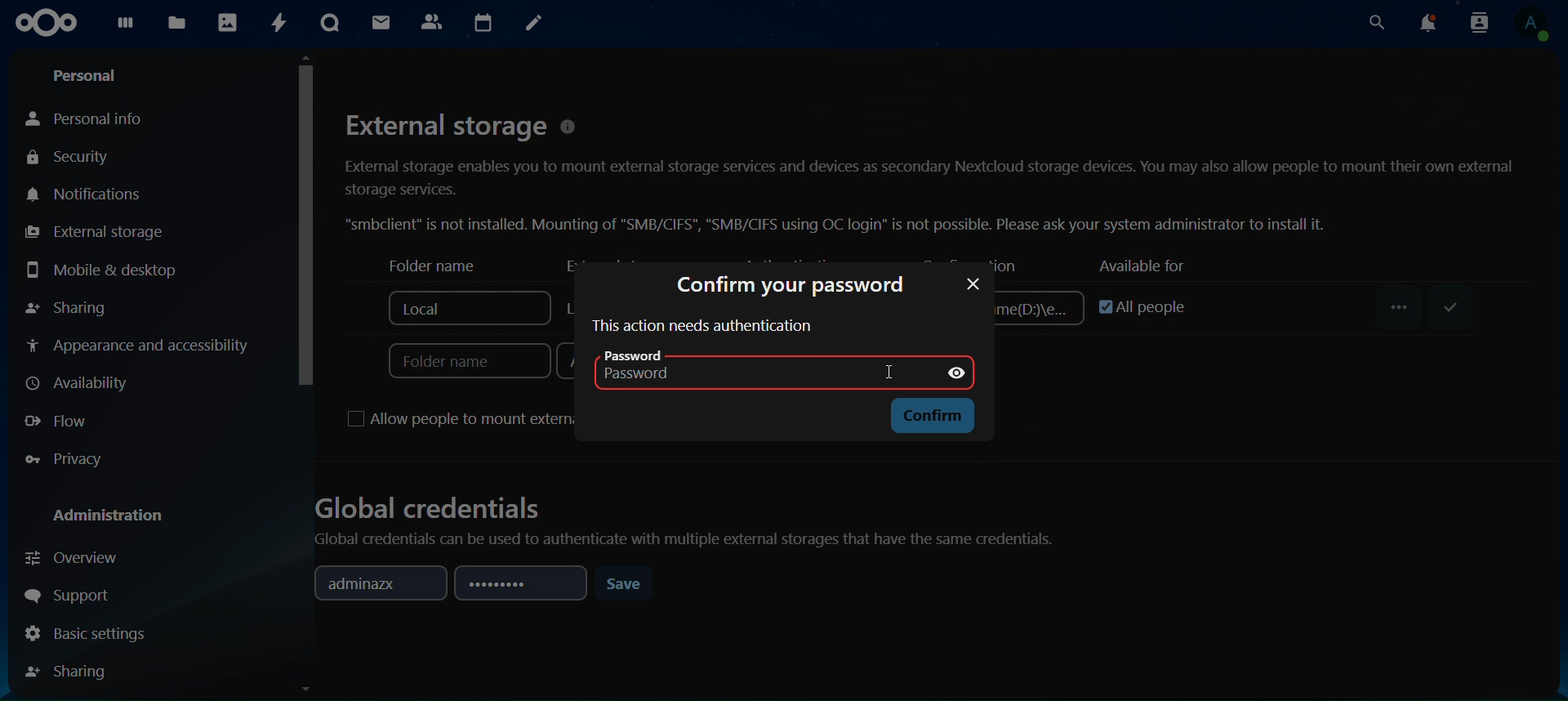 The width and height of the screenshot is (1568, 701). I want to click on privacy, so click(64, 458).